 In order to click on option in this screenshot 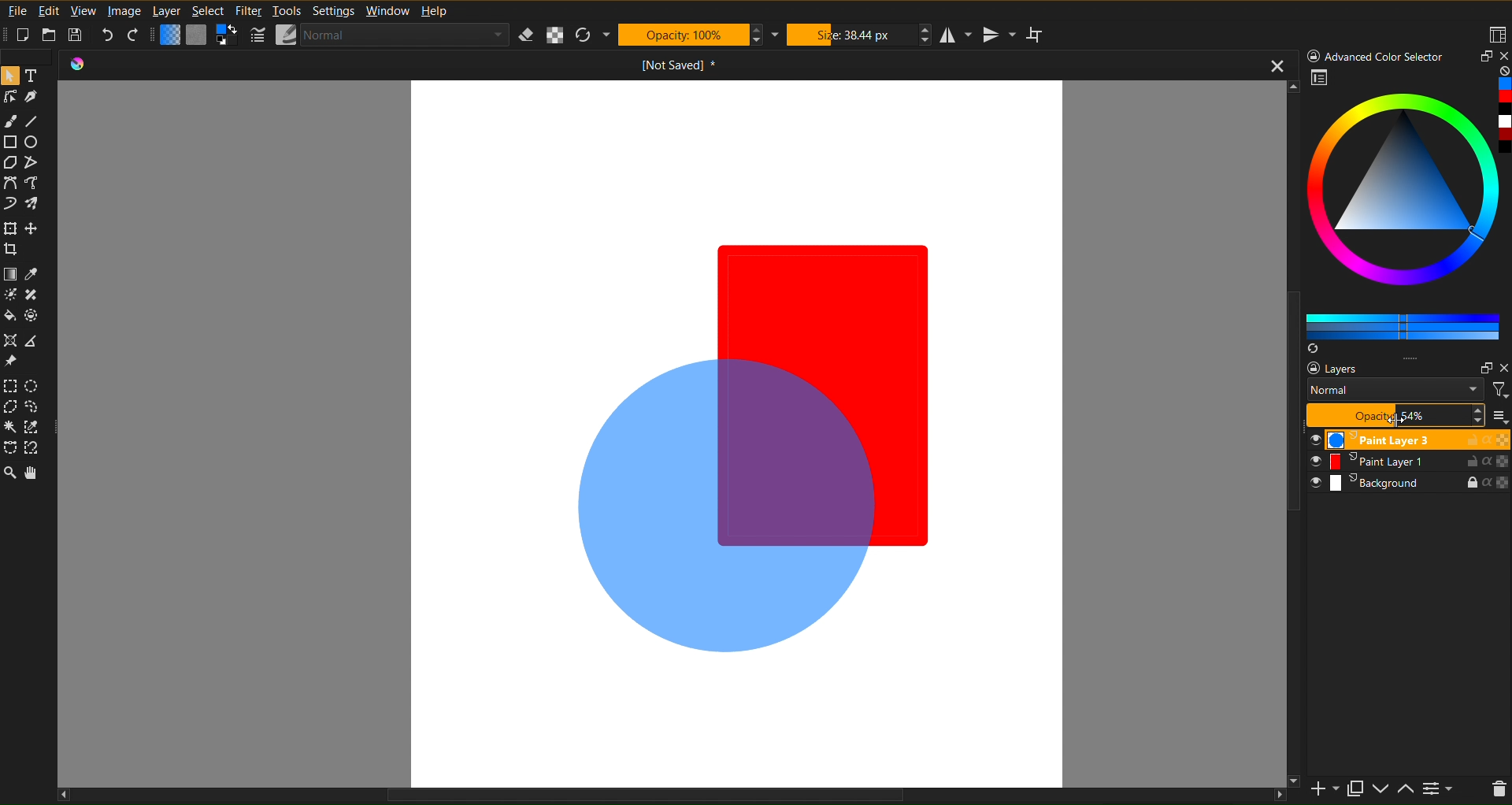, I will do `click(1410, 358)`.